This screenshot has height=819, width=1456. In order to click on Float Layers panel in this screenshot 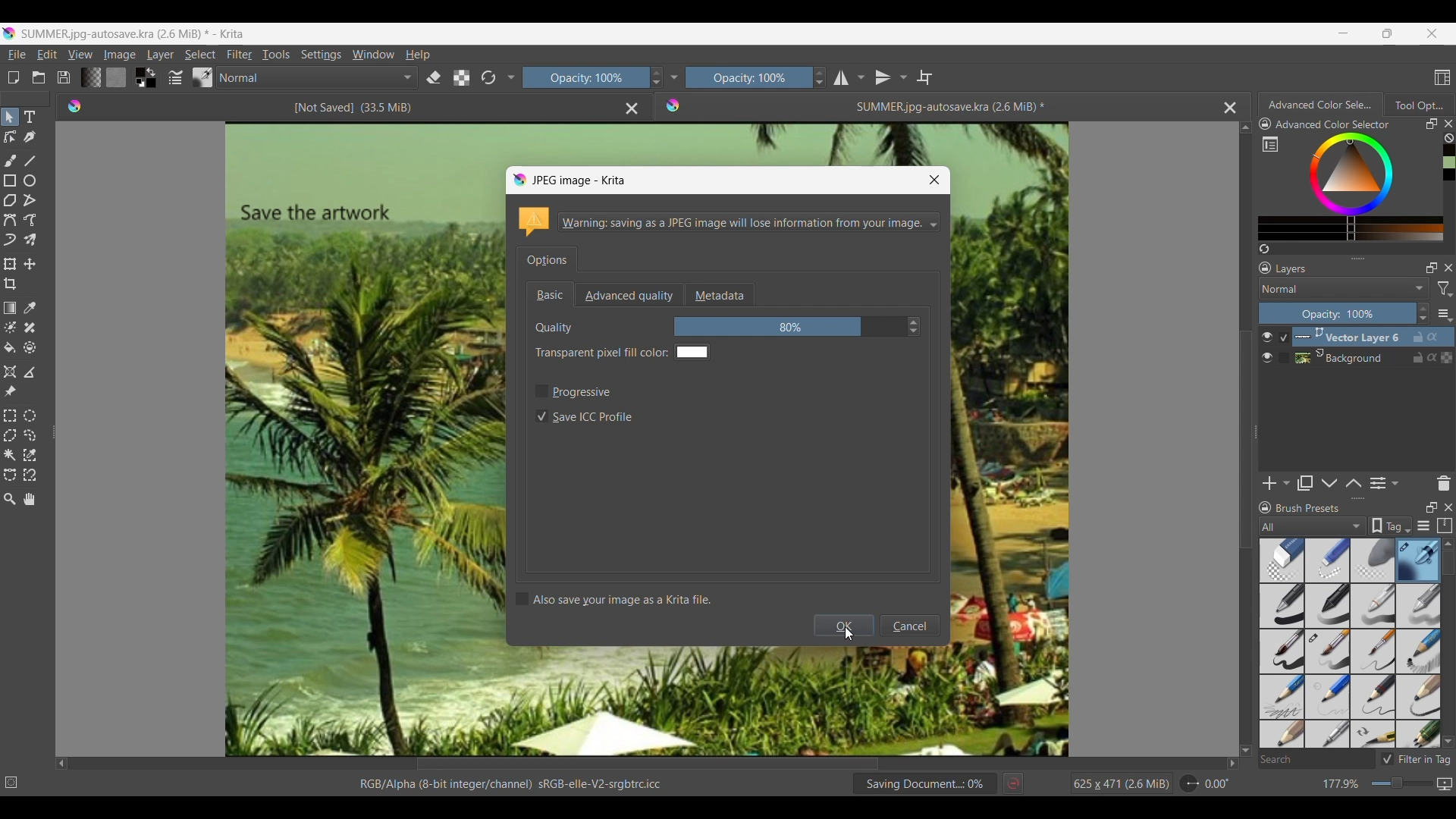, I will do `click(1432, 268)`.